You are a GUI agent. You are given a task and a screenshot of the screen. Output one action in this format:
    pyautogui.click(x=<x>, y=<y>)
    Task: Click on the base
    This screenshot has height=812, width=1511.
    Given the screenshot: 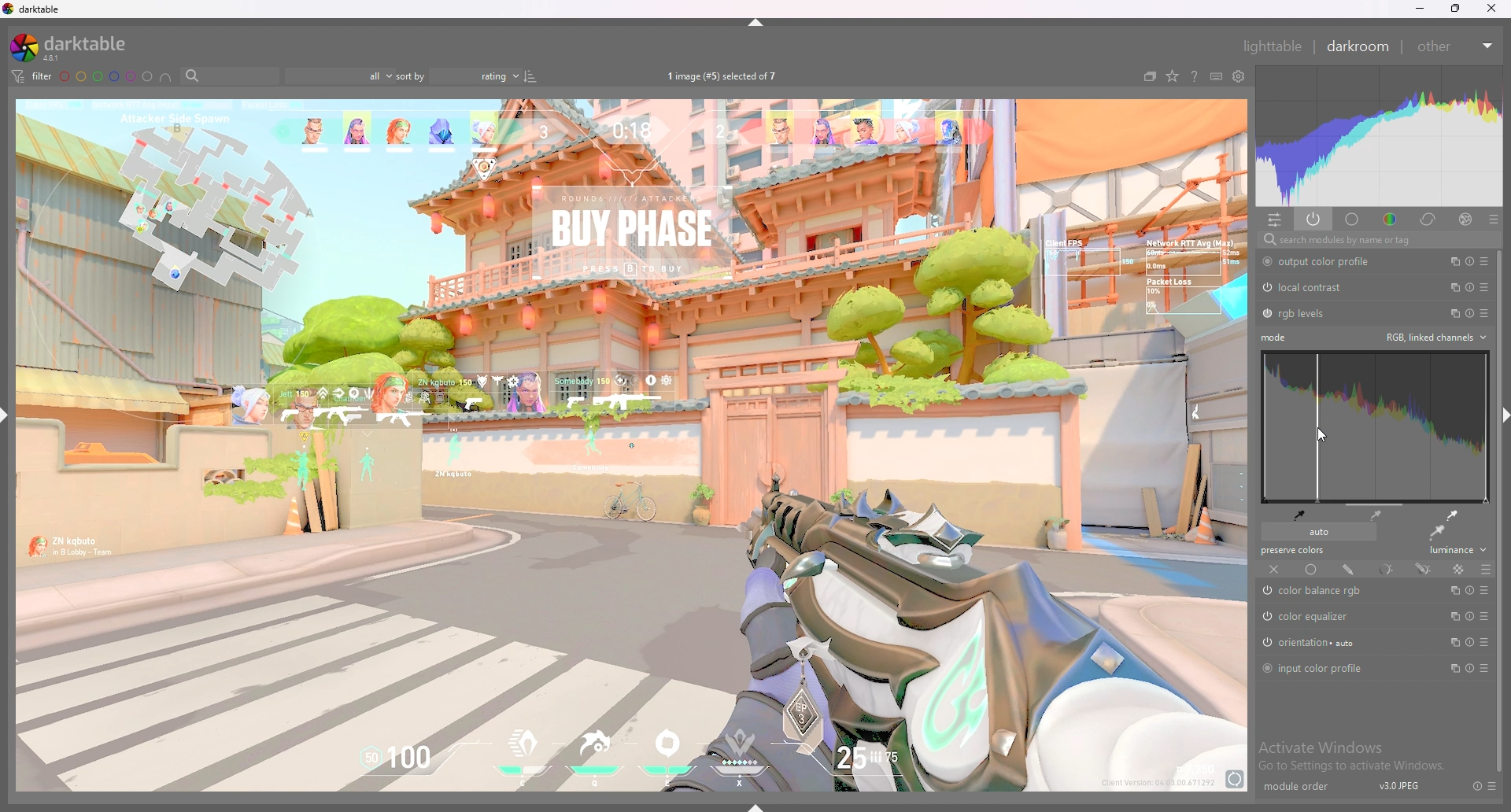 What is the action you would take?
    pyautogui.click(x=1353, y=220)
    